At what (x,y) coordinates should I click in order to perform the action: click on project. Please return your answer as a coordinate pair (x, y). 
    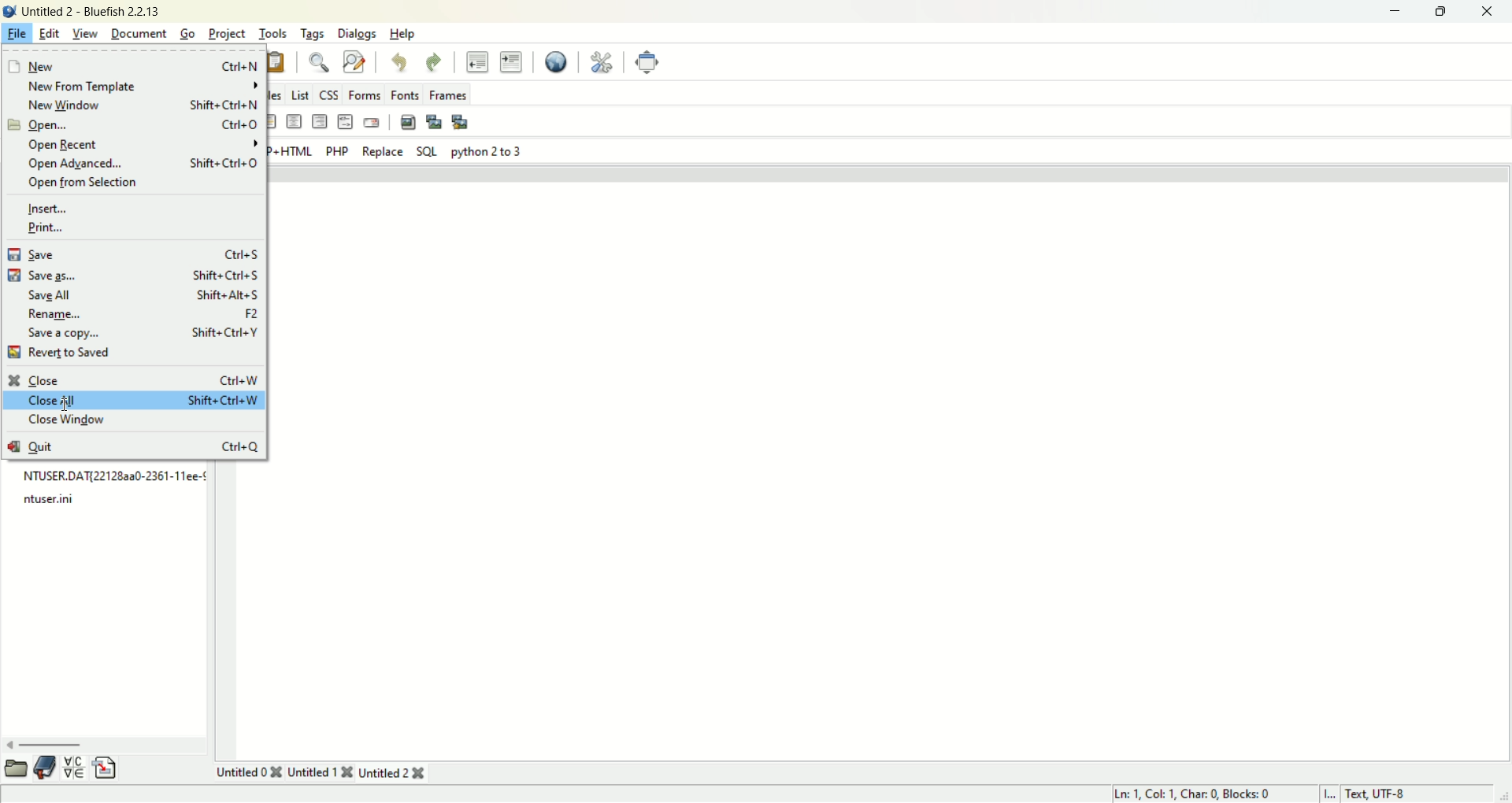
    Looking at the image, I should click on (228, 34).